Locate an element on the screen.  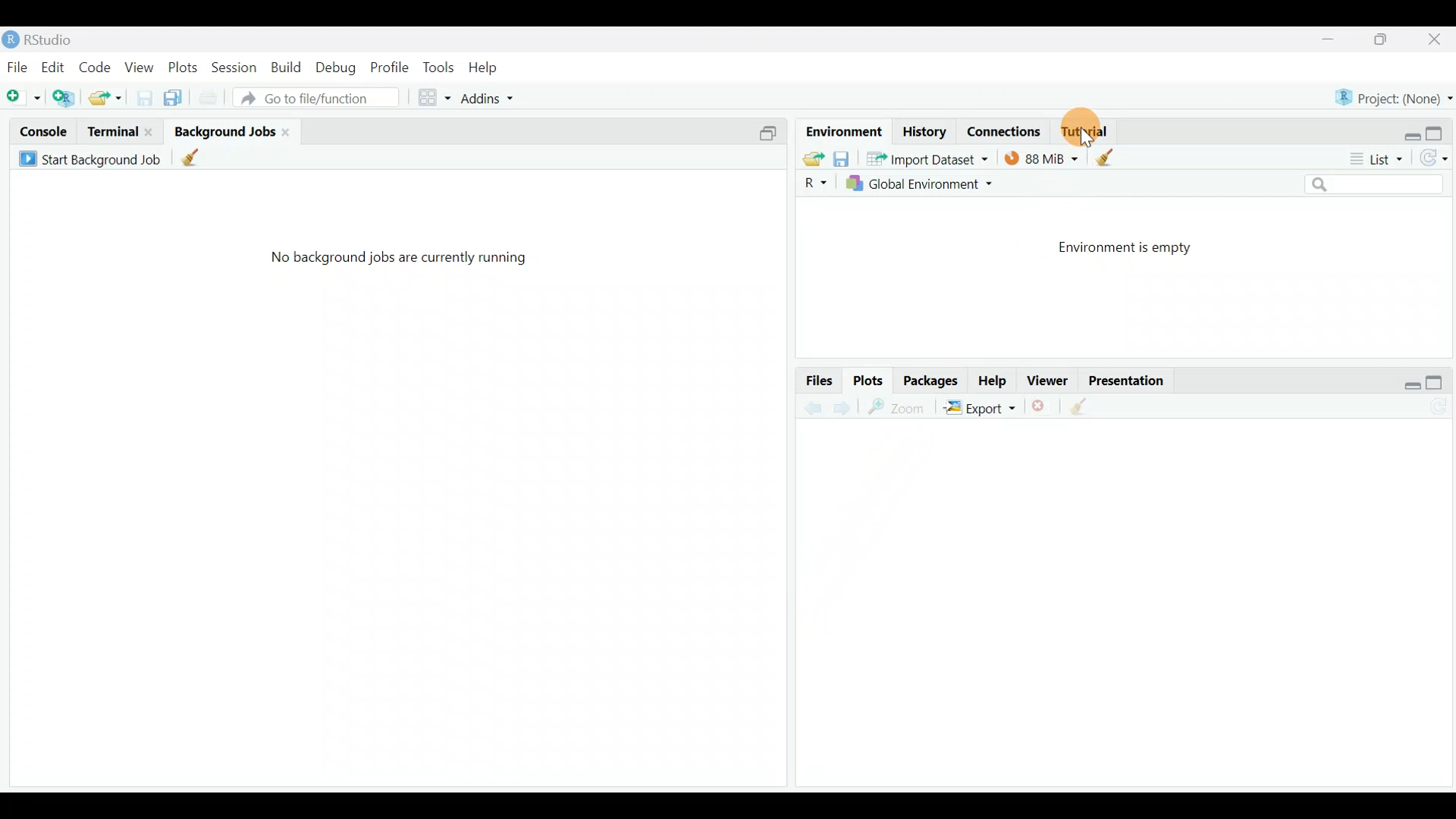
Restore down is located at coordinates (1401, 133).